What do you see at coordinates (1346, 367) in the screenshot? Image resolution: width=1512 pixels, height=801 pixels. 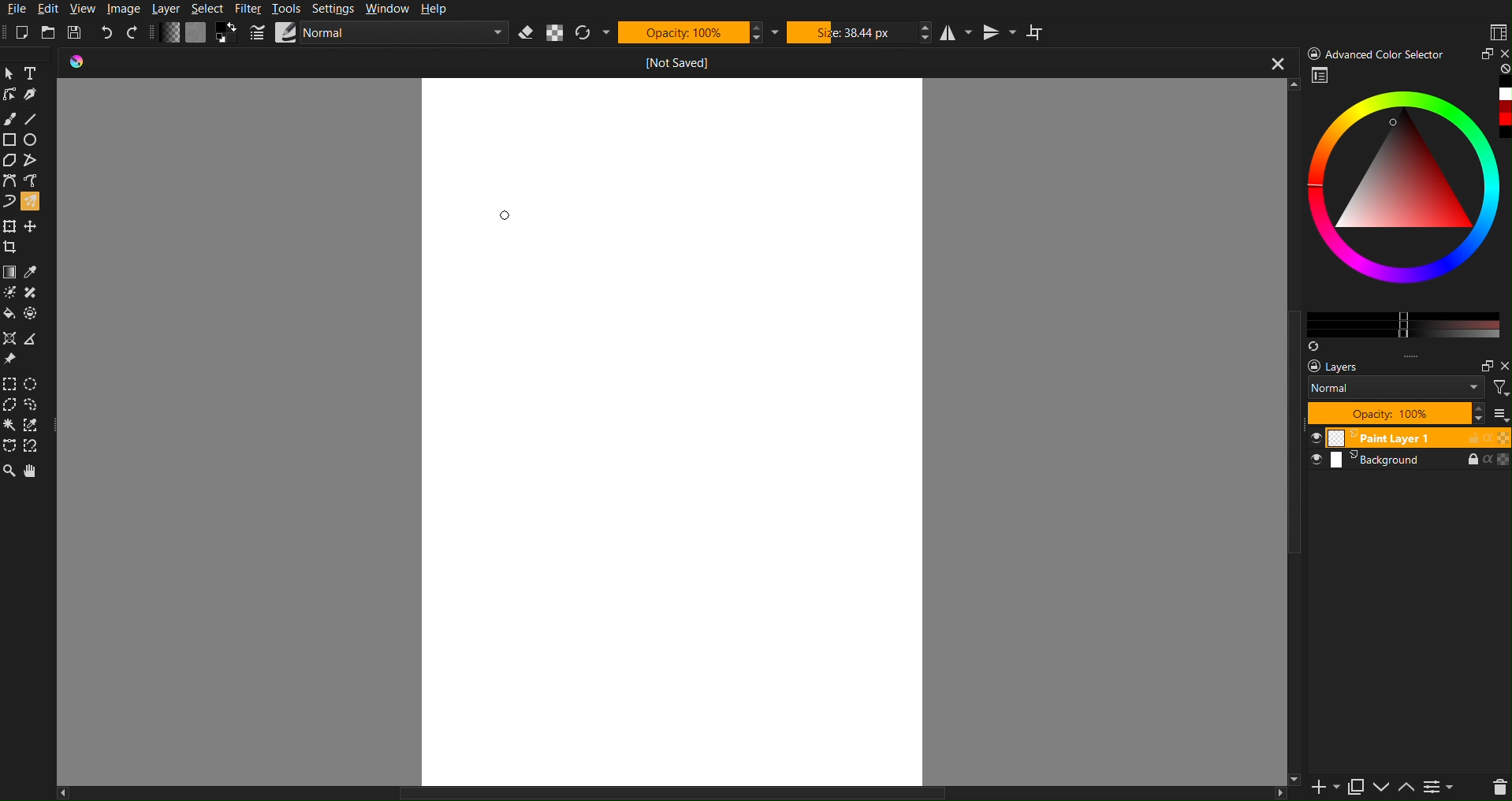 I see `layers` at bounding box center [1346, 367].